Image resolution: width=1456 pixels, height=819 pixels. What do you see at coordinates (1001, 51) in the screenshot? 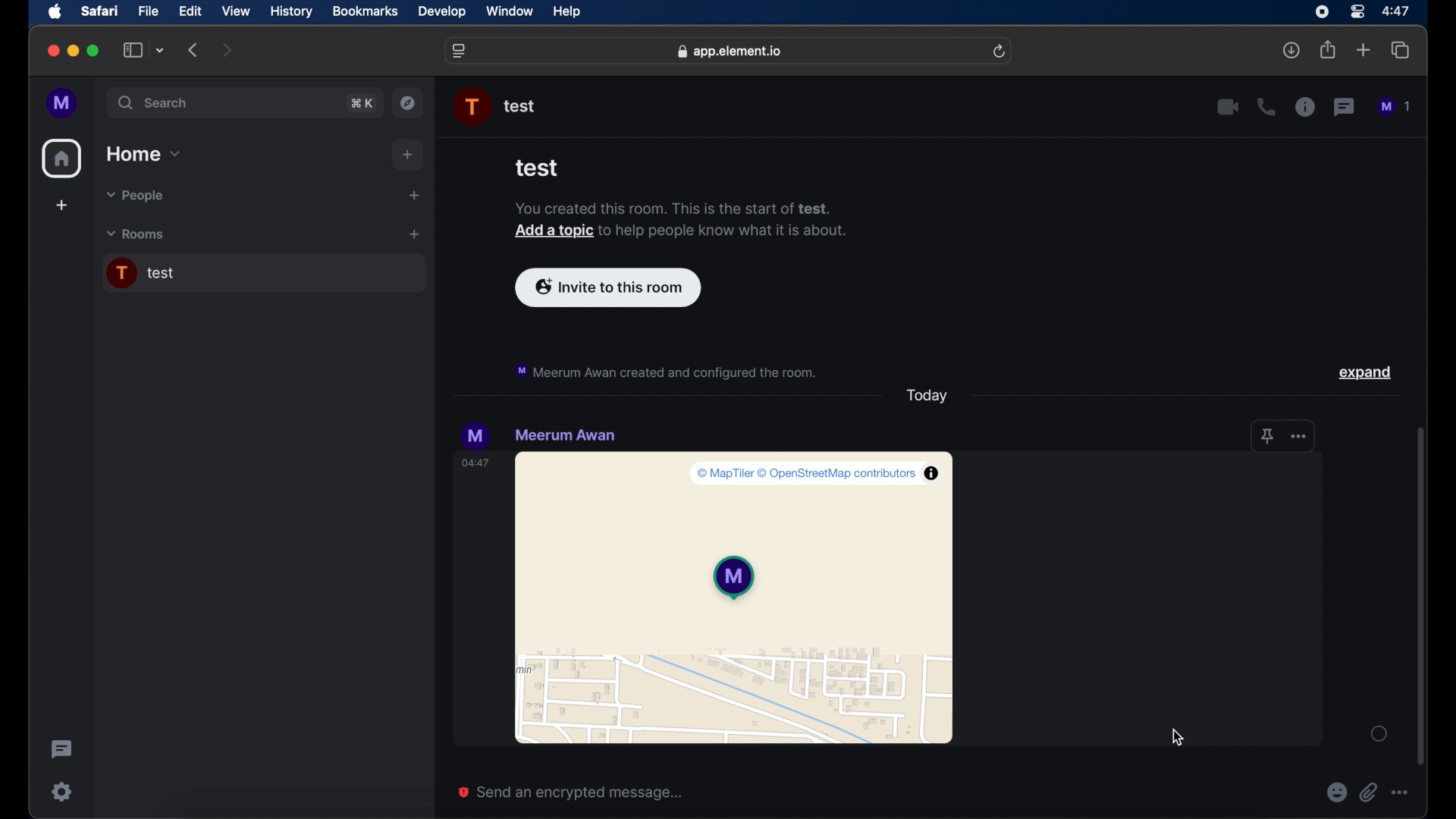
I see `refresh` at bounding box center [1001, 51].